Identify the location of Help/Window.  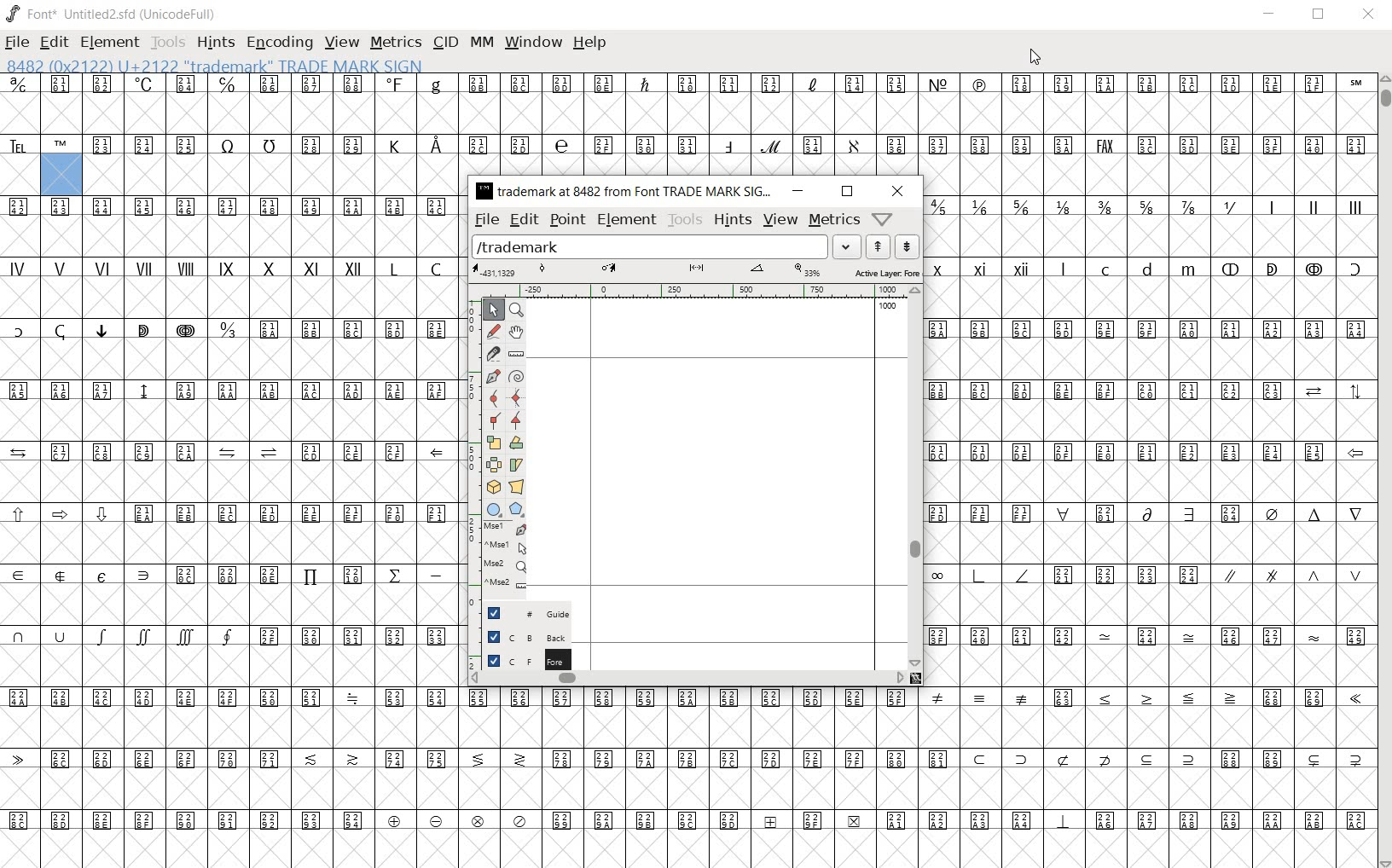
(883, 217).